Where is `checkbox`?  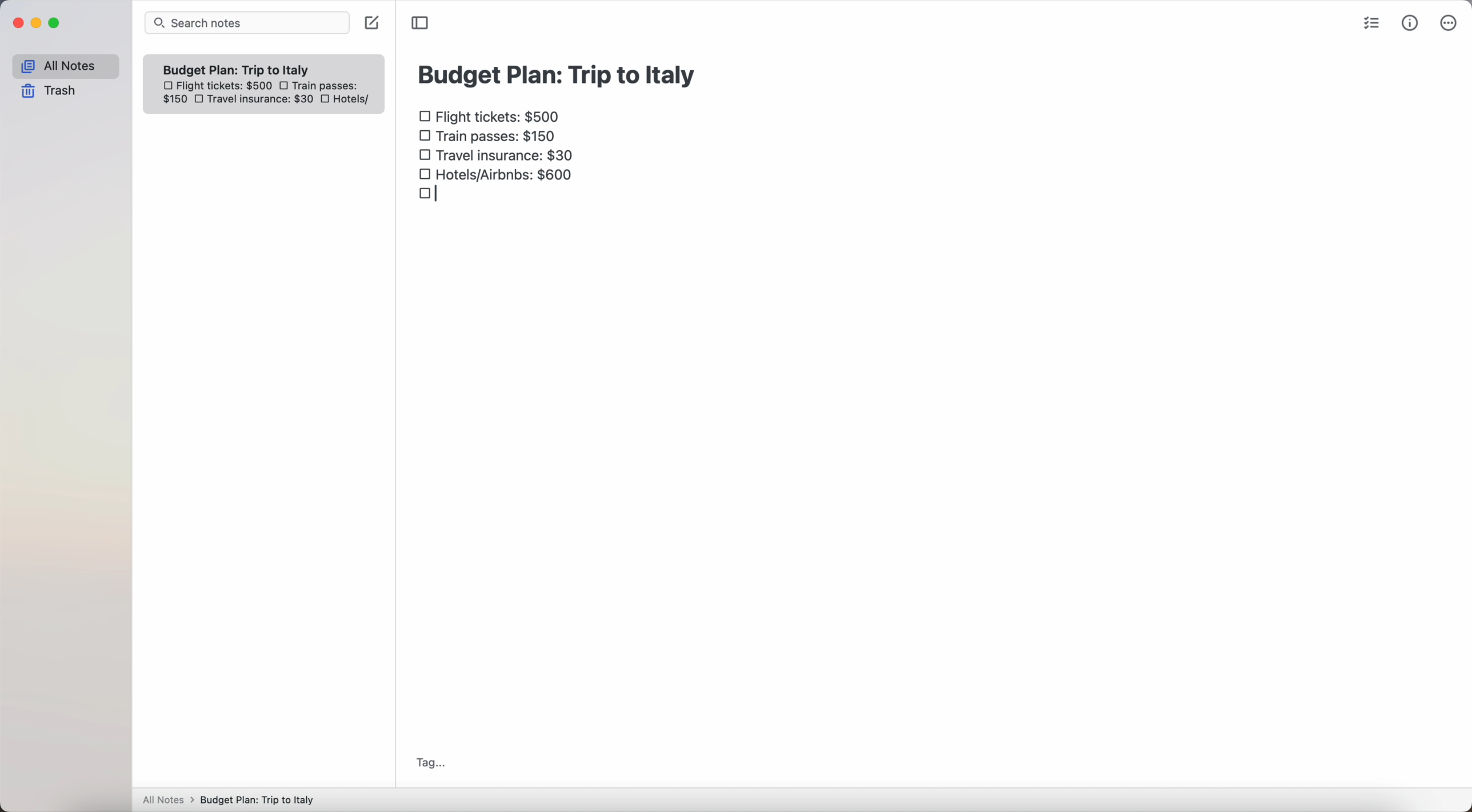 checkbox is located at coordinates (286, 86).